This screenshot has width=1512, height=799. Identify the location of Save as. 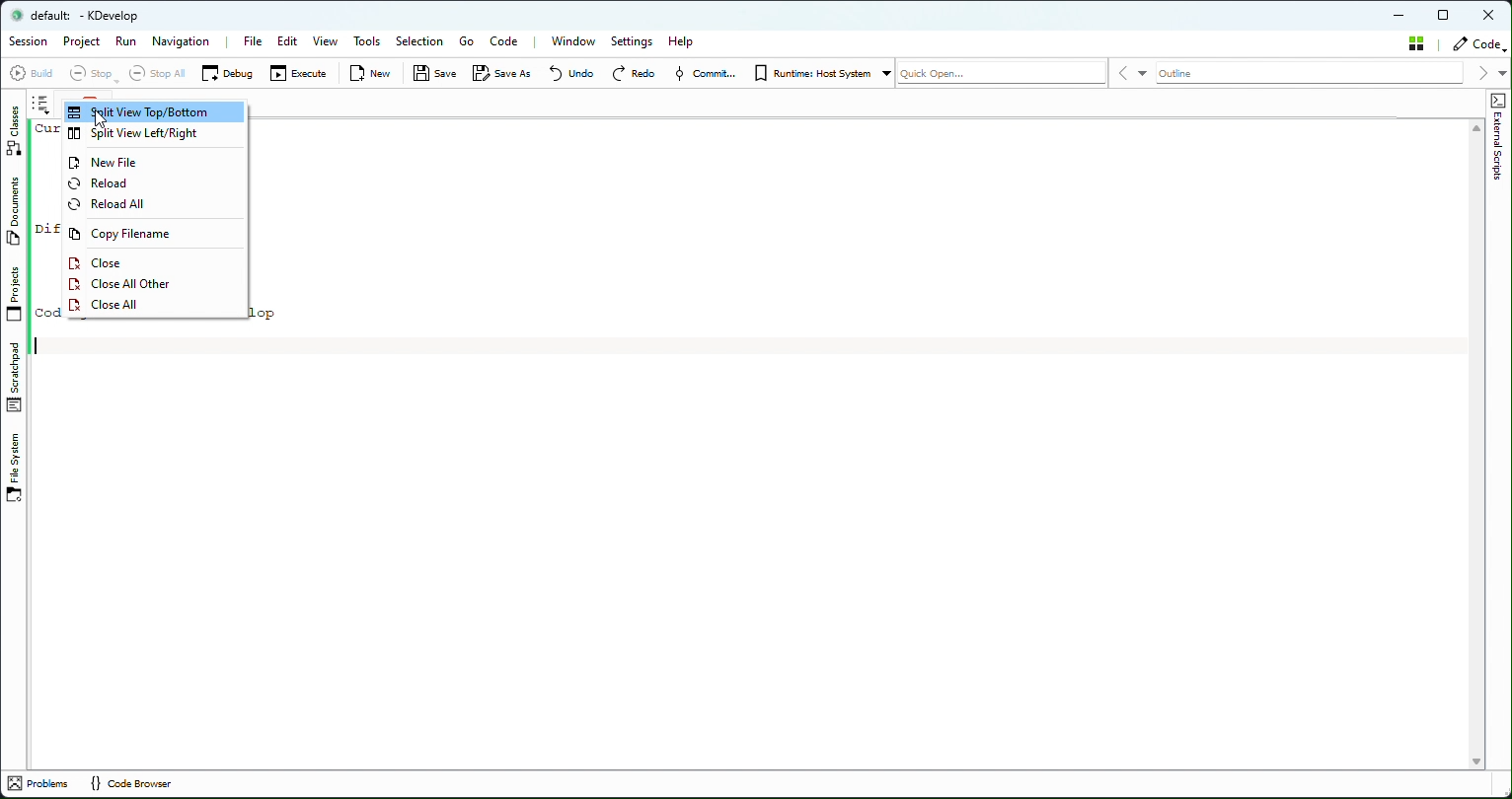
(502, 73).